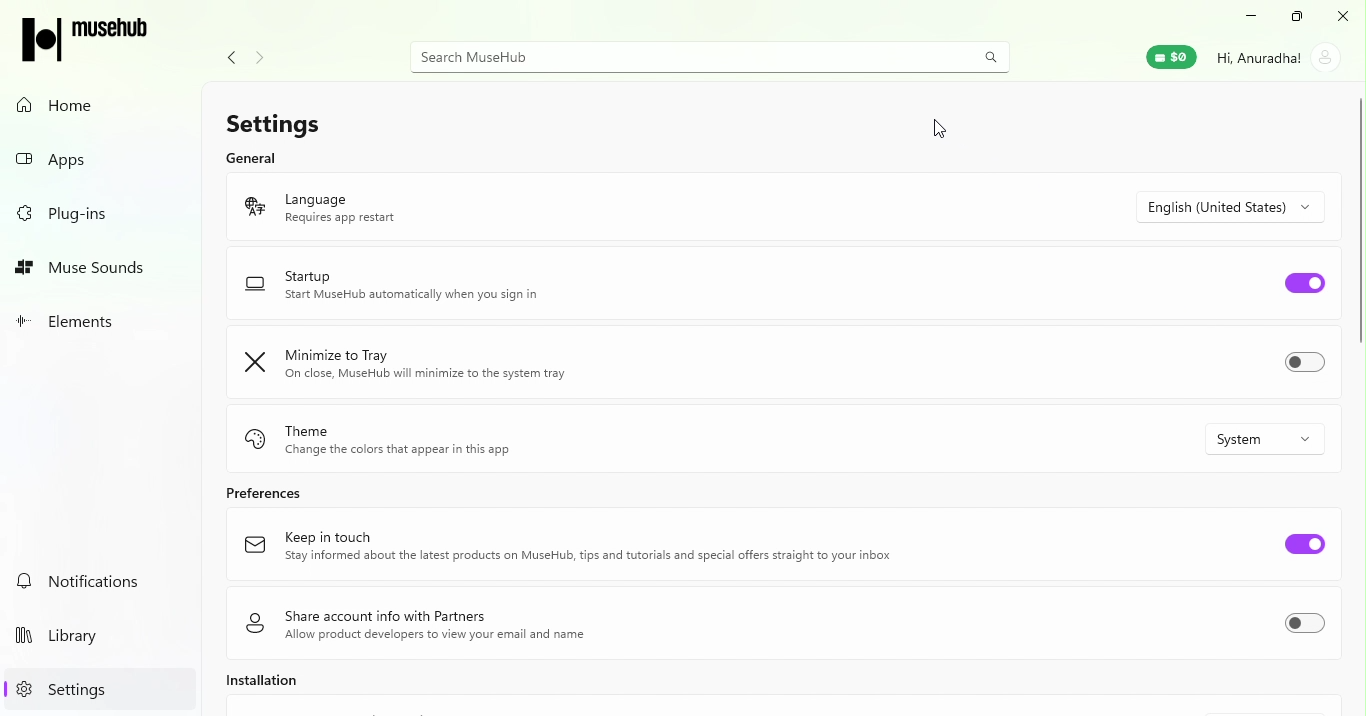 The width and height of the screenshot is (1366, 716). Describe the element at coordinates (1346, 16) in the screenshot. I see `Close` at that location.